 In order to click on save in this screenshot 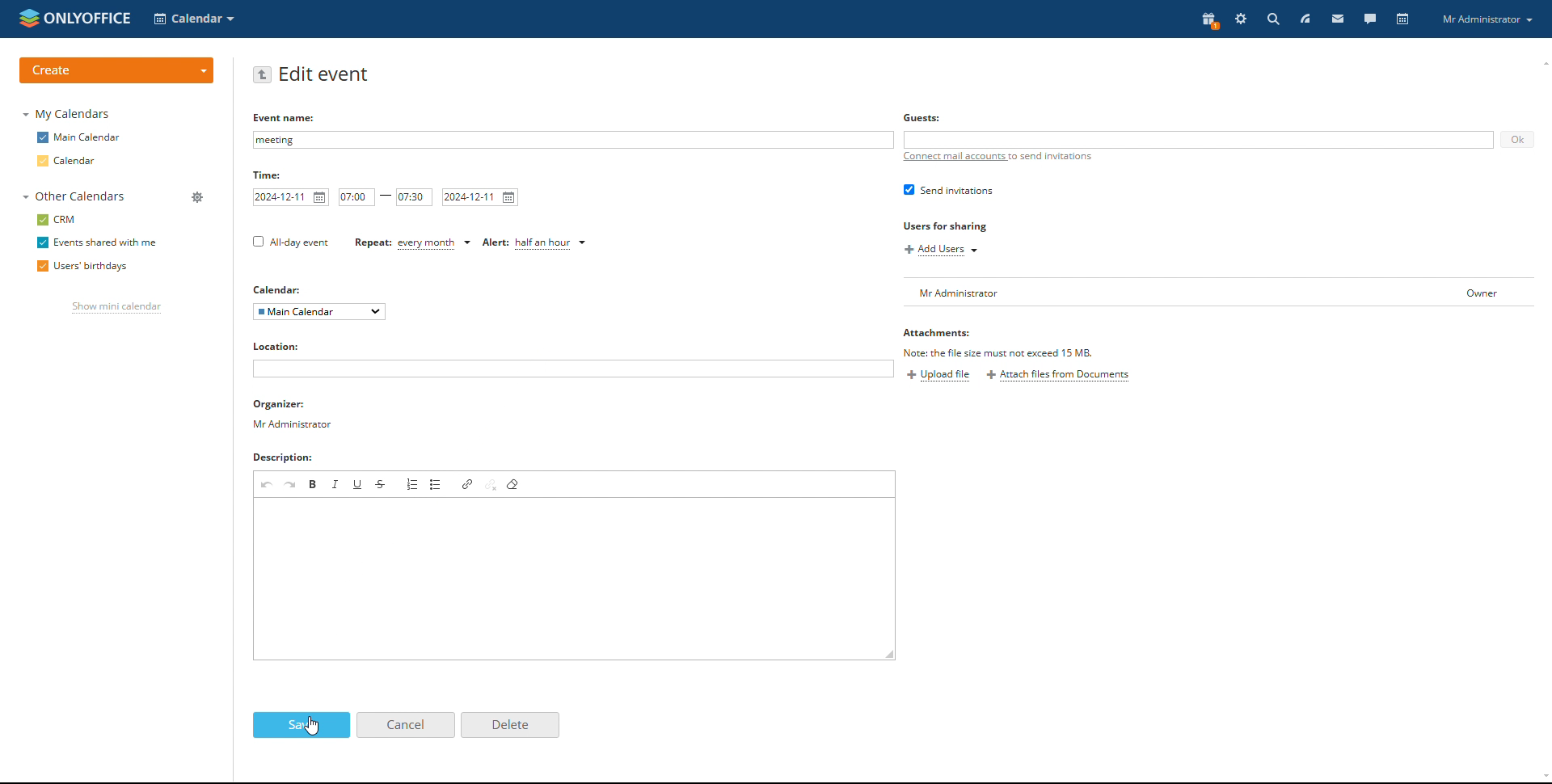, I will do `click(302, 726)`.